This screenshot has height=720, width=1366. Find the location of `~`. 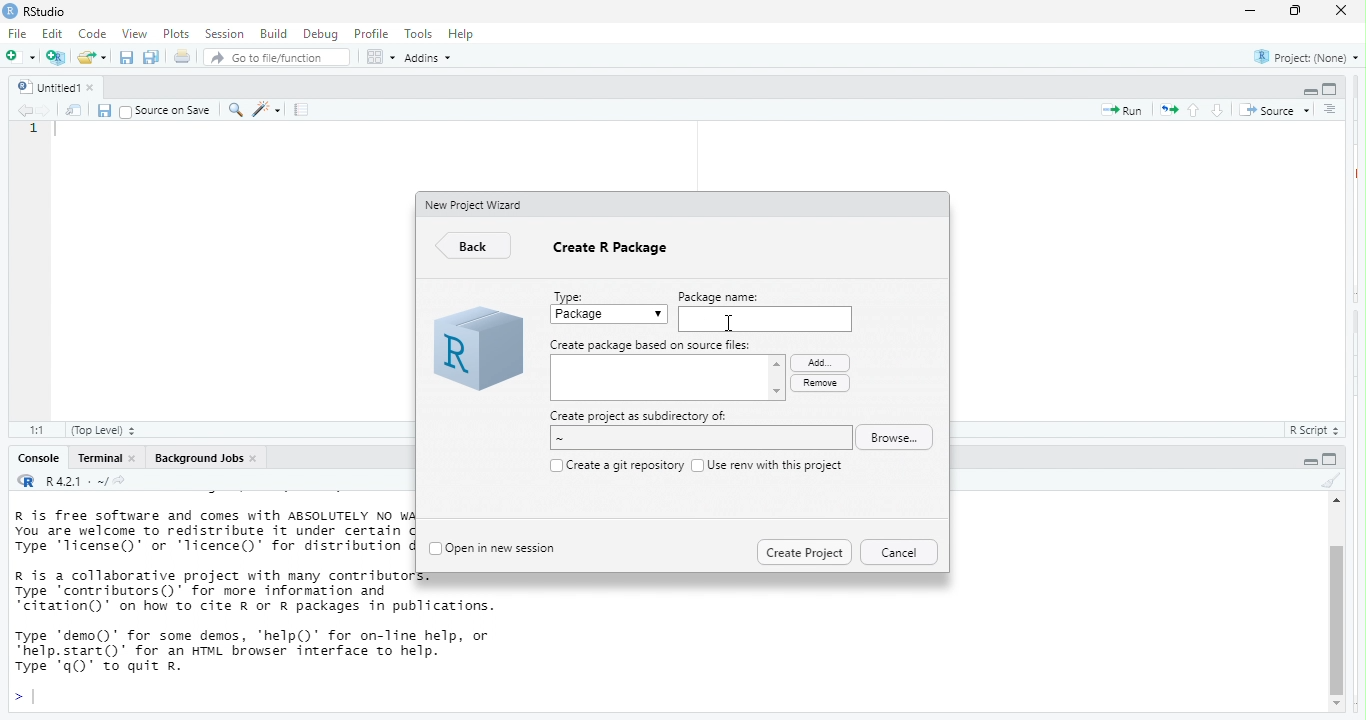

~ is located at coordinates (697, 439).